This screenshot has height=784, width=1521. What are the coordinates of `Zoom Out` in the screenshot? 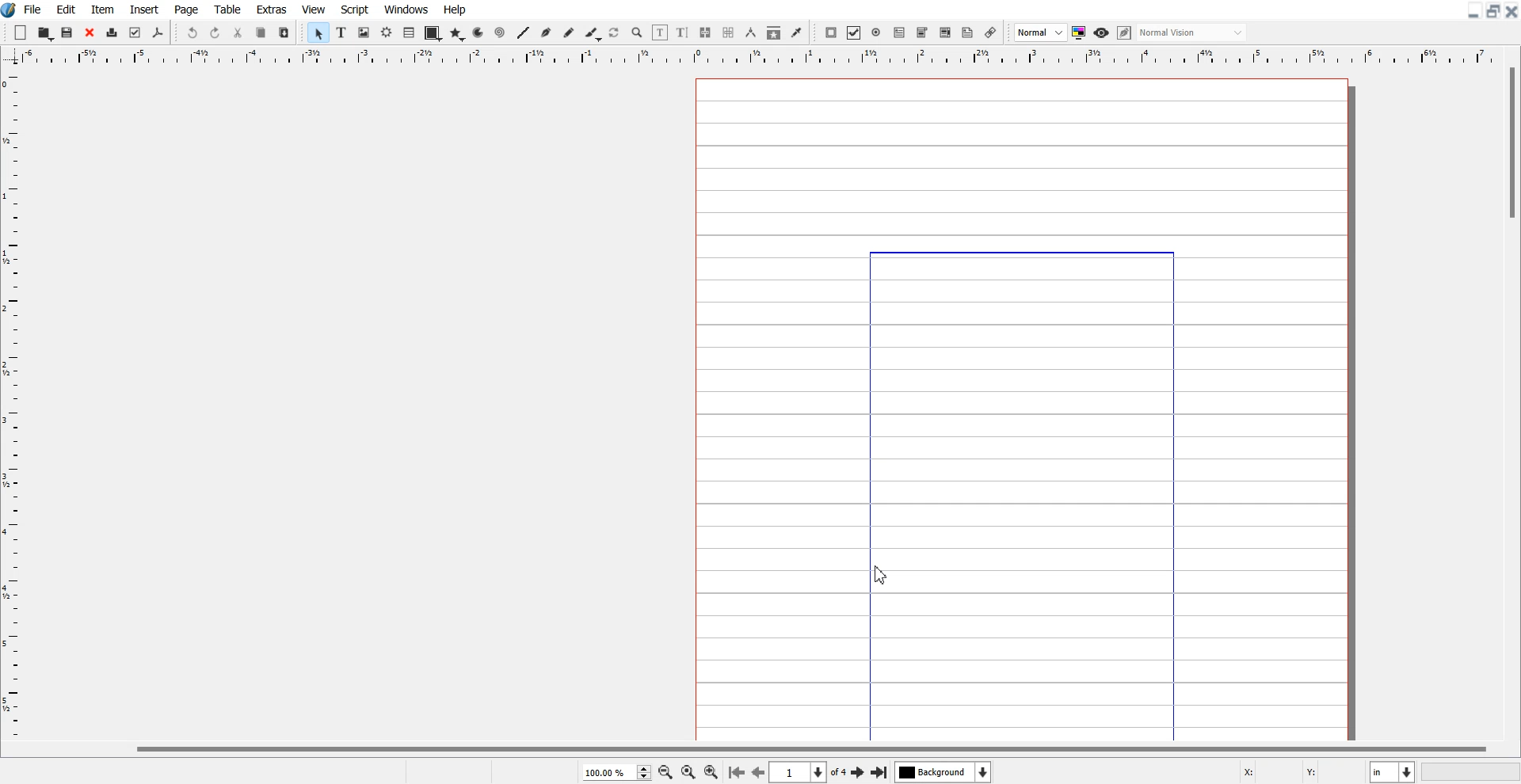 It's located at (665, 772).